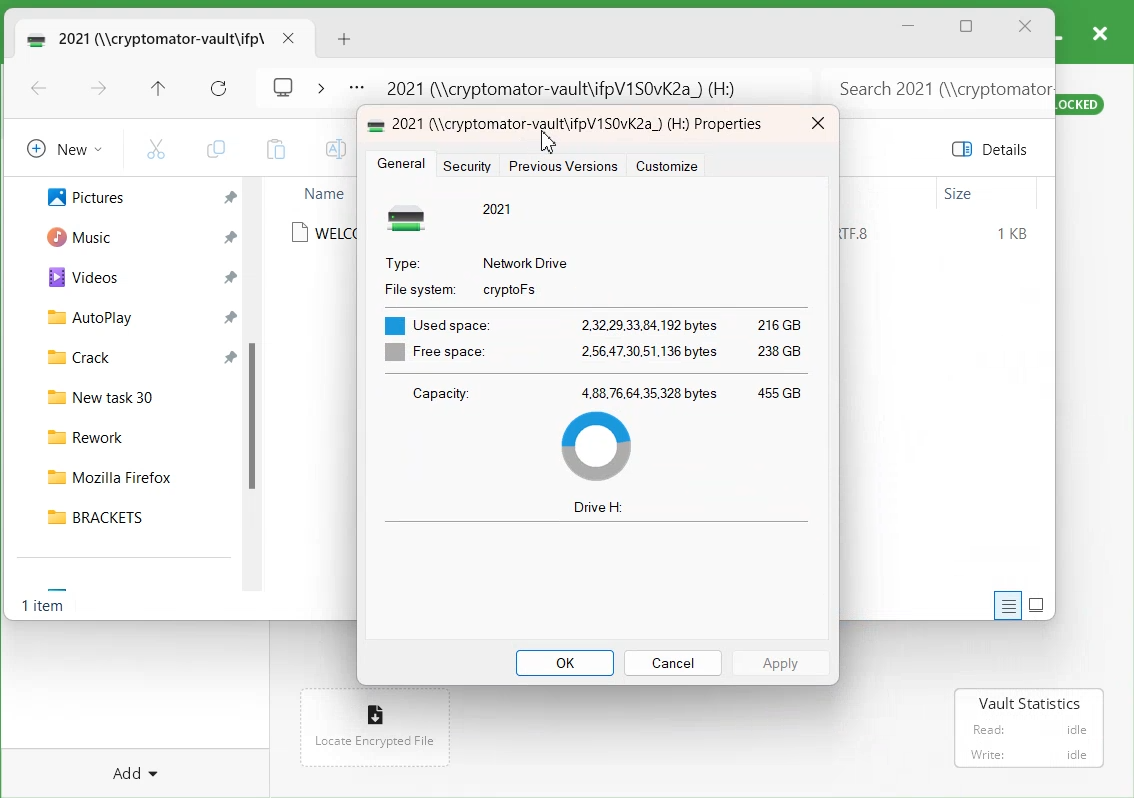 The image size is (1134, 798). What do you see at coordinates (527, 261) in the screenshot?
I see `Network Drive` at bounding box center [527, 261].